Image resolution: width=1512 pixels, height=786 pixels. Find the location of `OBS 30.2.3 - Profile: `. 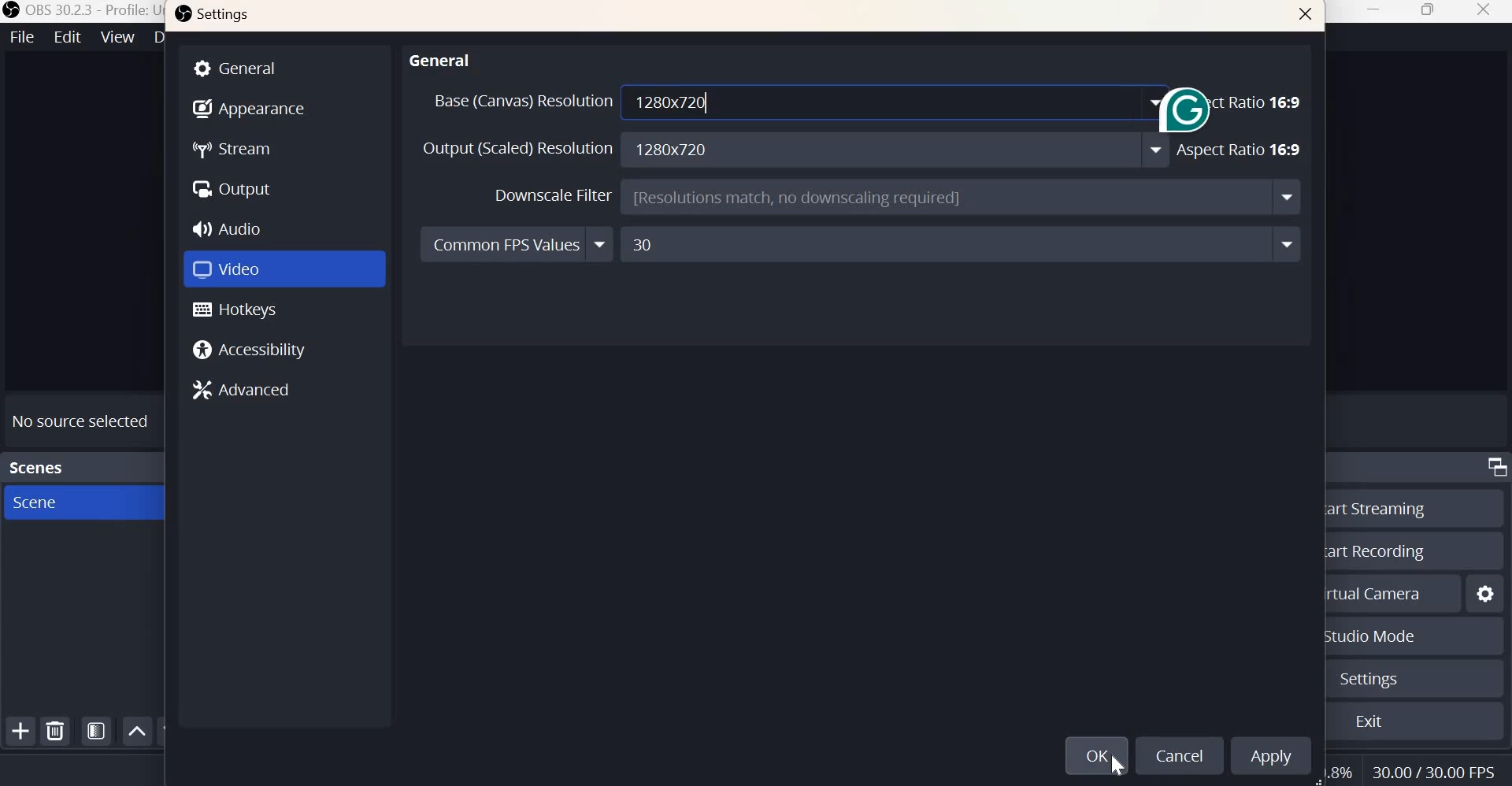

OBS 30.2.3 - Profile:  is located at coordinates (76, 10).